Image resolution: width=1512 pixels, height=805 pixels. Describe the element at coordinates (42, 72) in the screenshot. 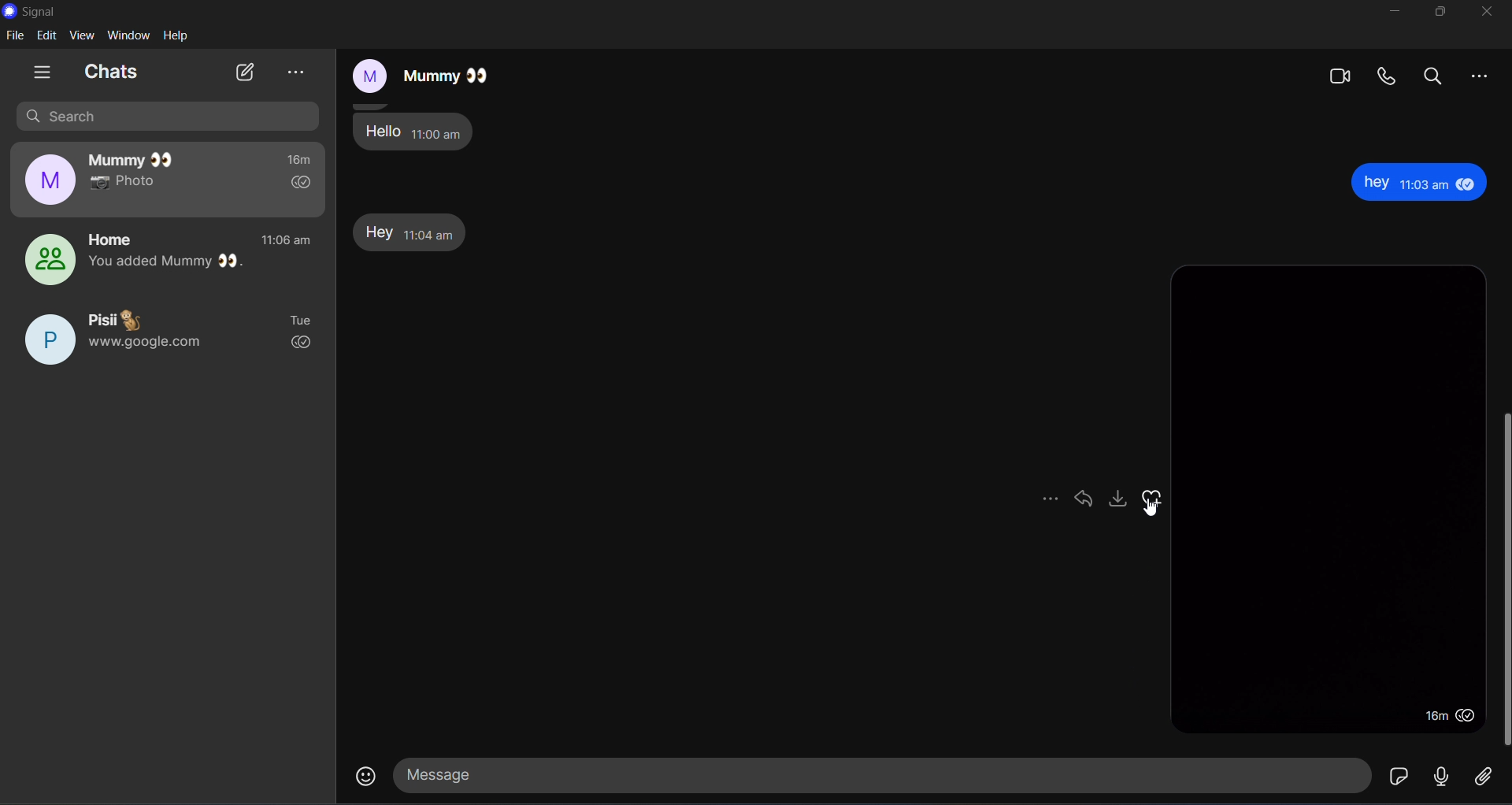

I see `show tabs` at that location.